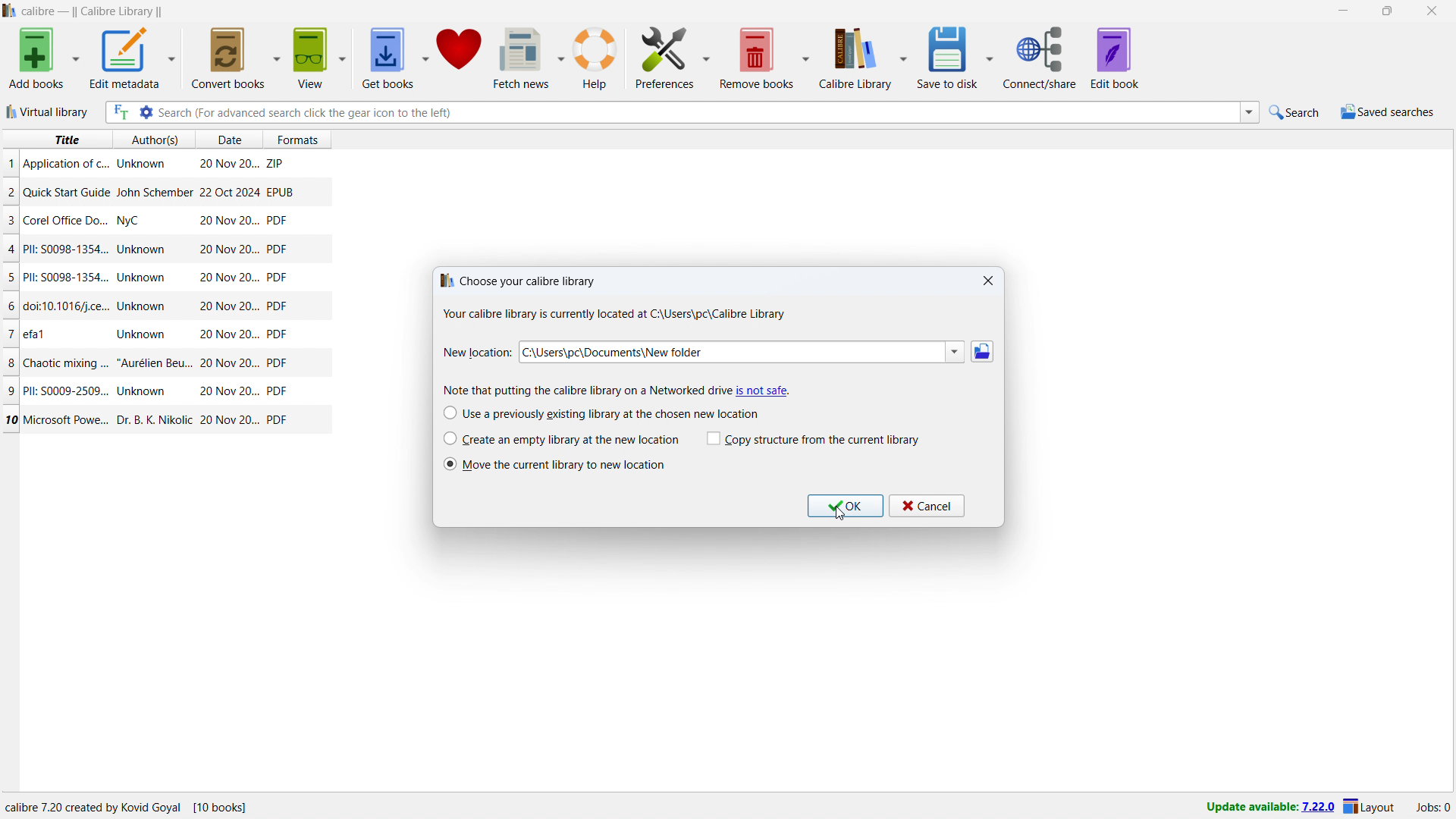 The width and height of the screenshot is (1456, 819). I want to click on date, so click(227, 140).